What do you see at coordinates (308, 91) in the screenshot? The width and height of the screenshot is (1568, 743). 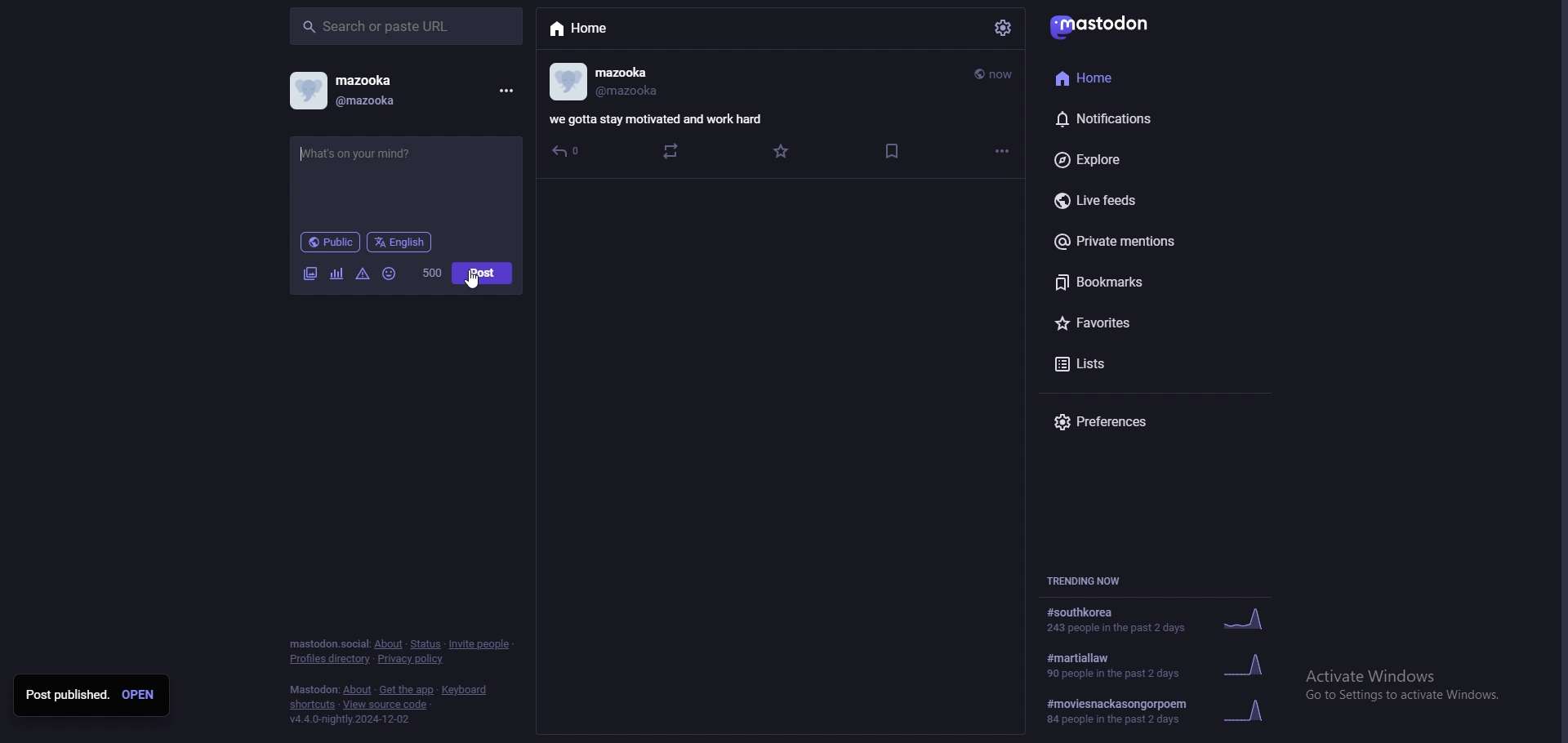 I see `profile` at bounding box center [308, 91].